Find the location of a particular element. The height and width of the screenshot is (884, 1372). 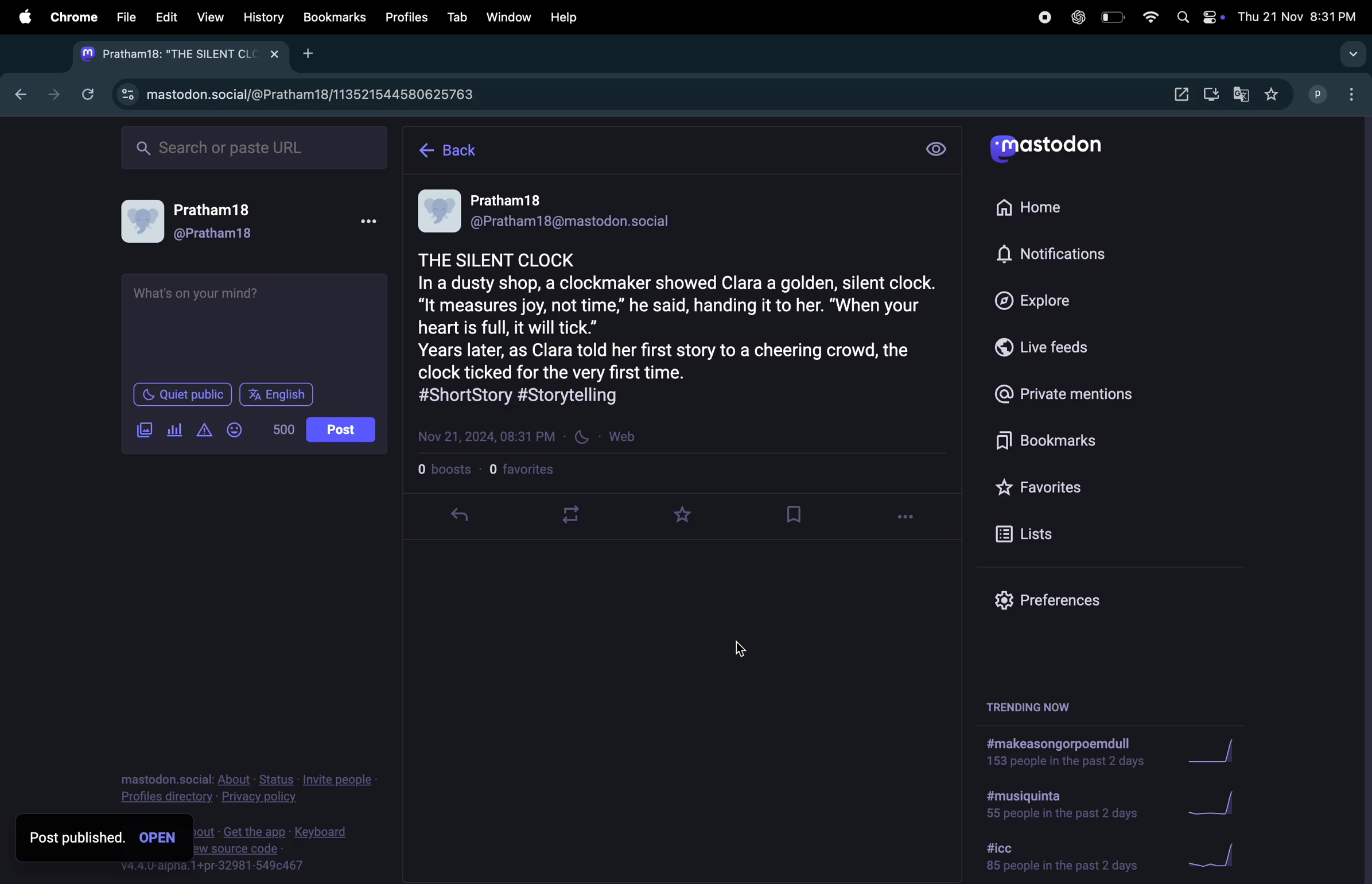

mastadon profile url is located at coordinates (299, 96).